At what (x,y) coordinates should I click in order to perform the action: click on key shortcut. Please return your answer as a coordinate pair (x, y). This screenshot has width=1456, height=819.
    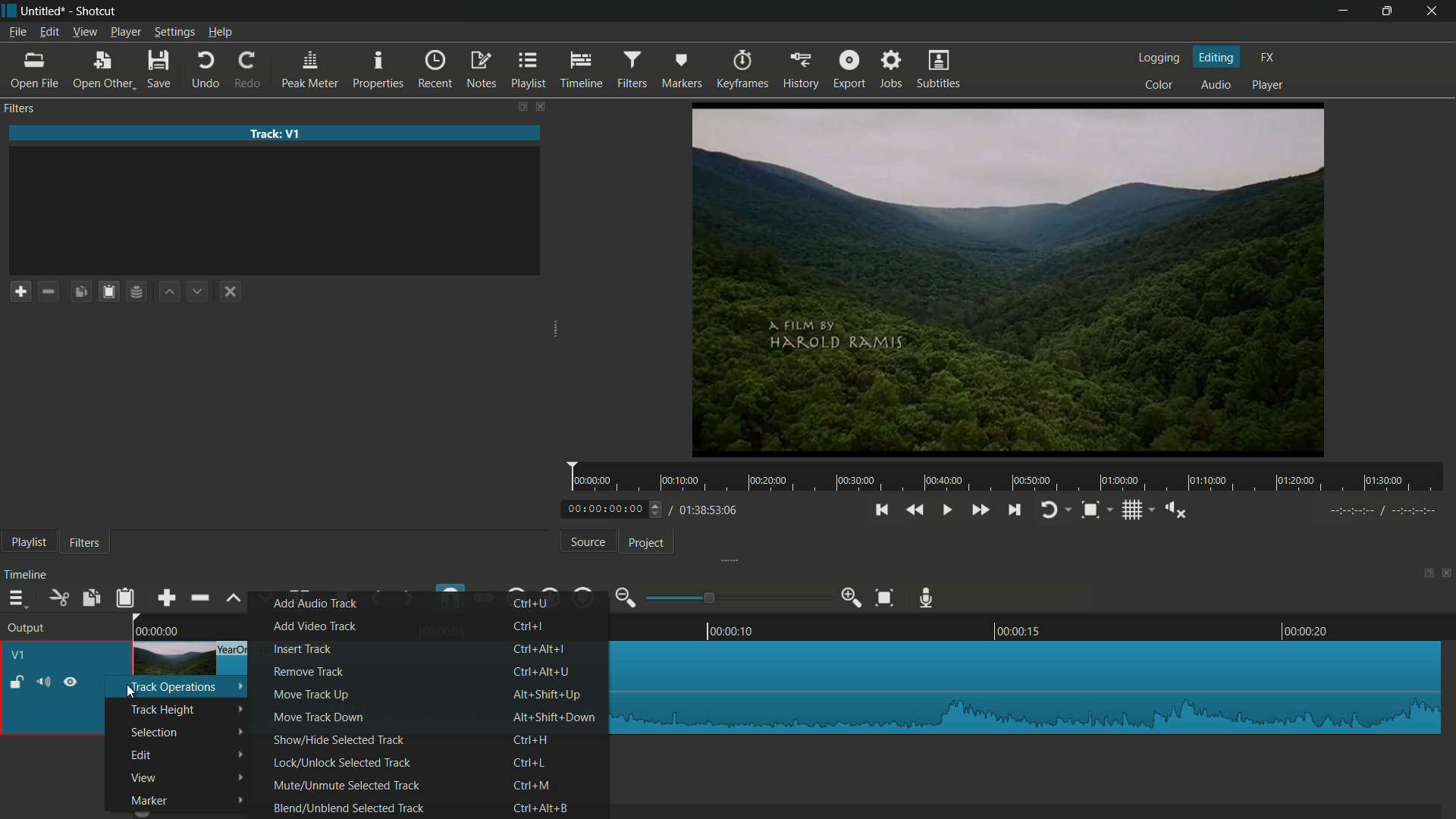
    Looking at the image, I should click on (550, 695).